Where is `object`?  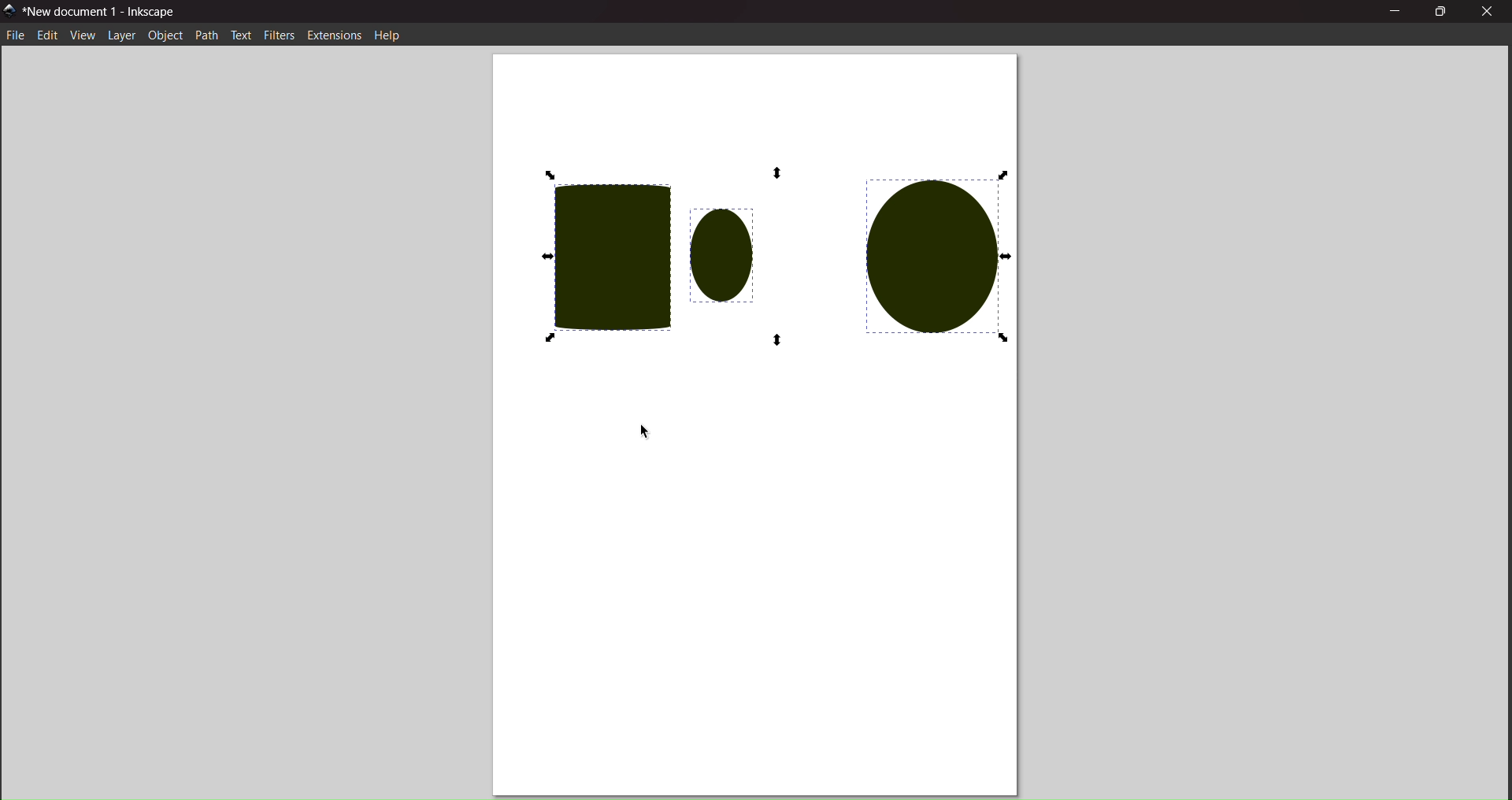 object is located at coordinates (165, 35).